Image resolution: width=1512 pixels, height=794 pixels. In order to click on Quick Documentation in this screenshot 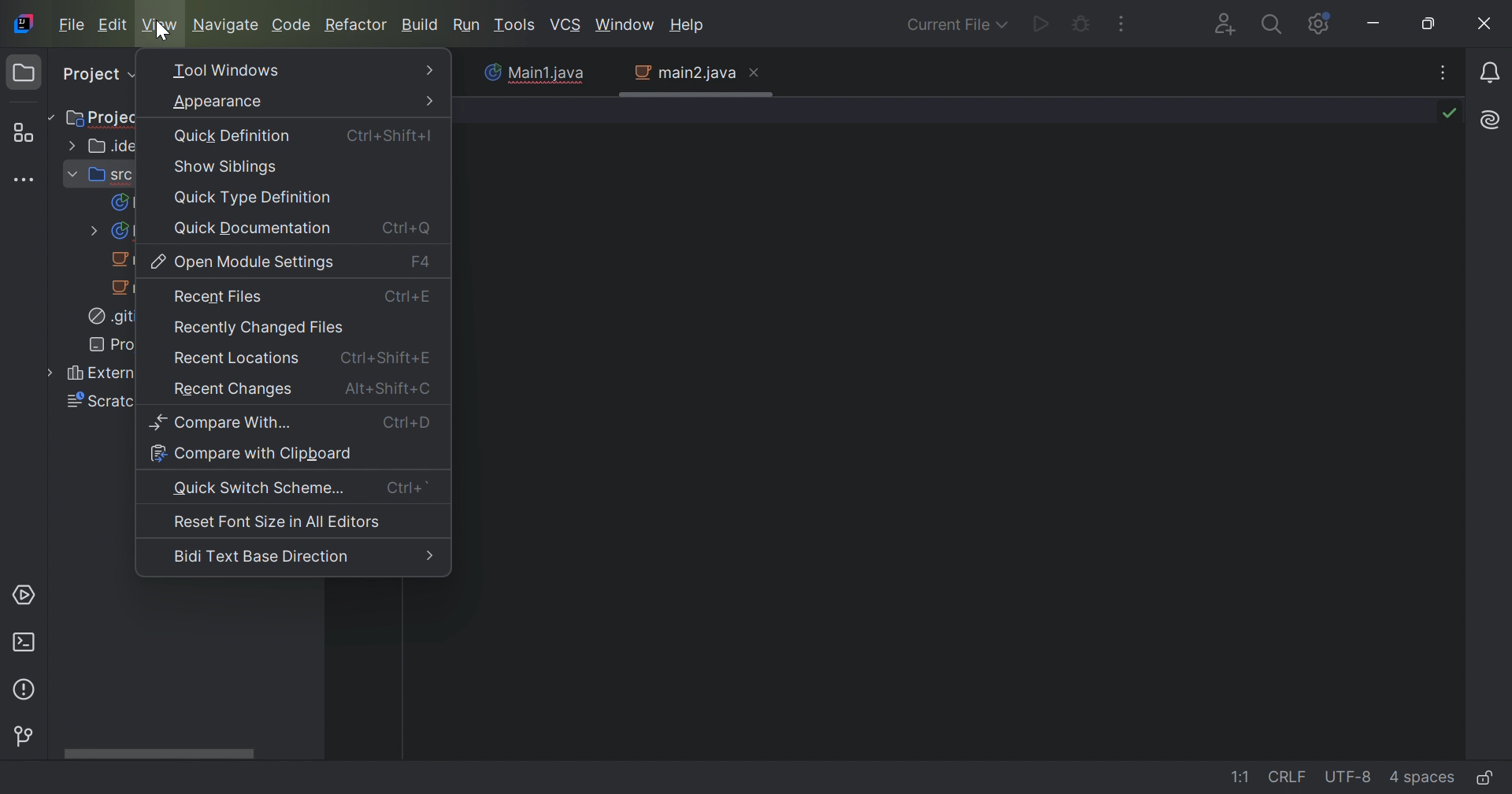, I will do `click(251, 228)`.